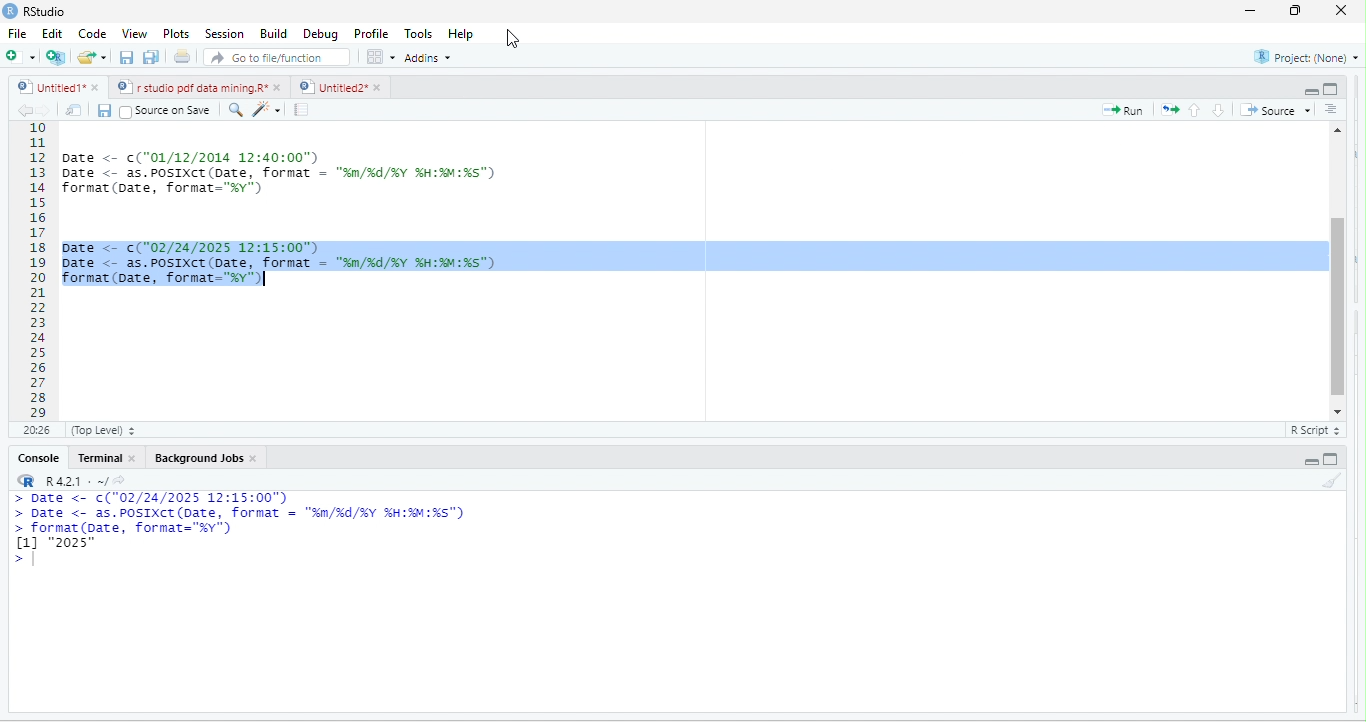 The image size is (1366, 722). I want to click on close, so click(1336, 10).